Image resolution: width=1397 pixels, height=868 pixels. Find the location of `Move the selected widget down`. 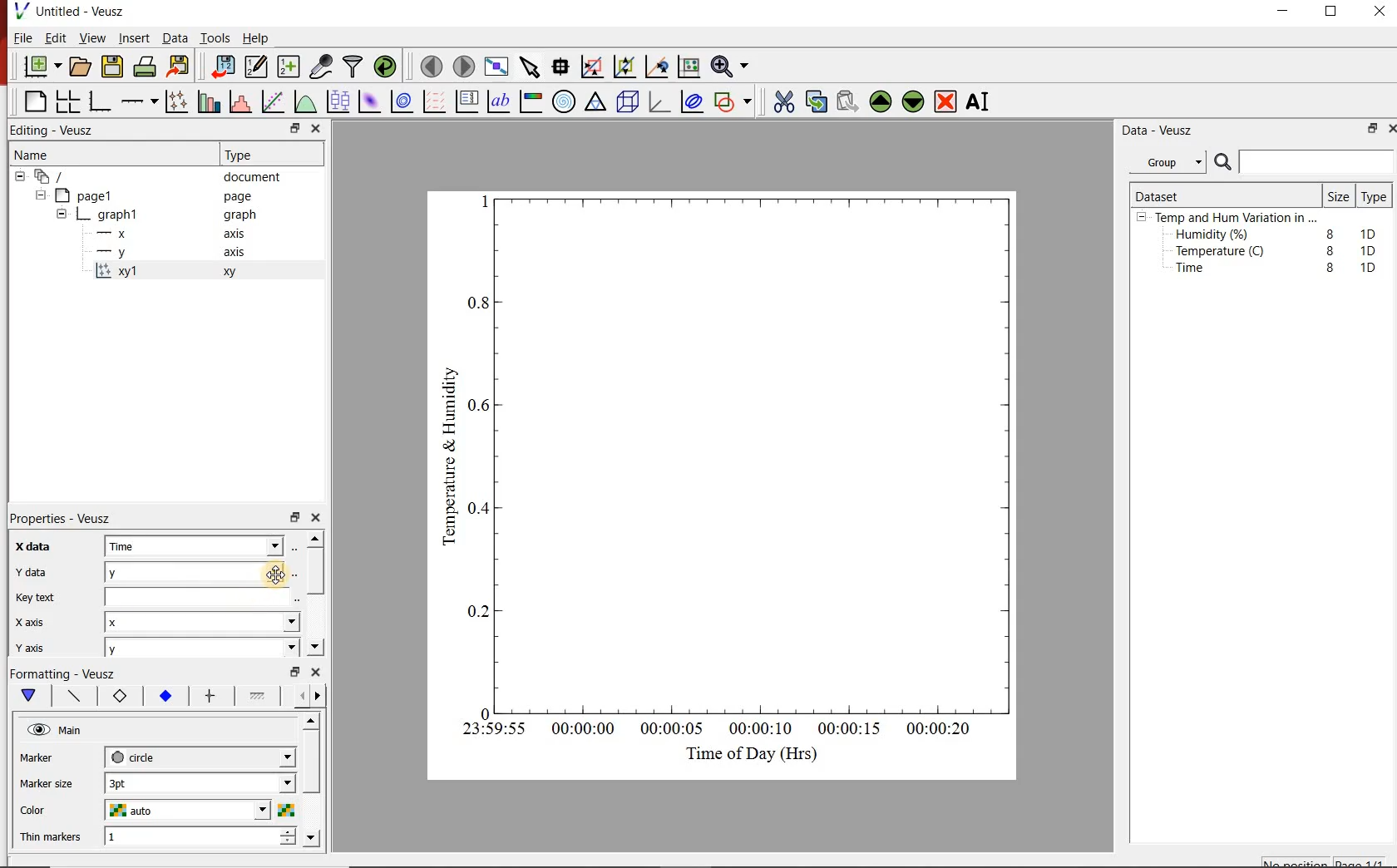

Move the selected widget down is located at coordinates (916, 101).